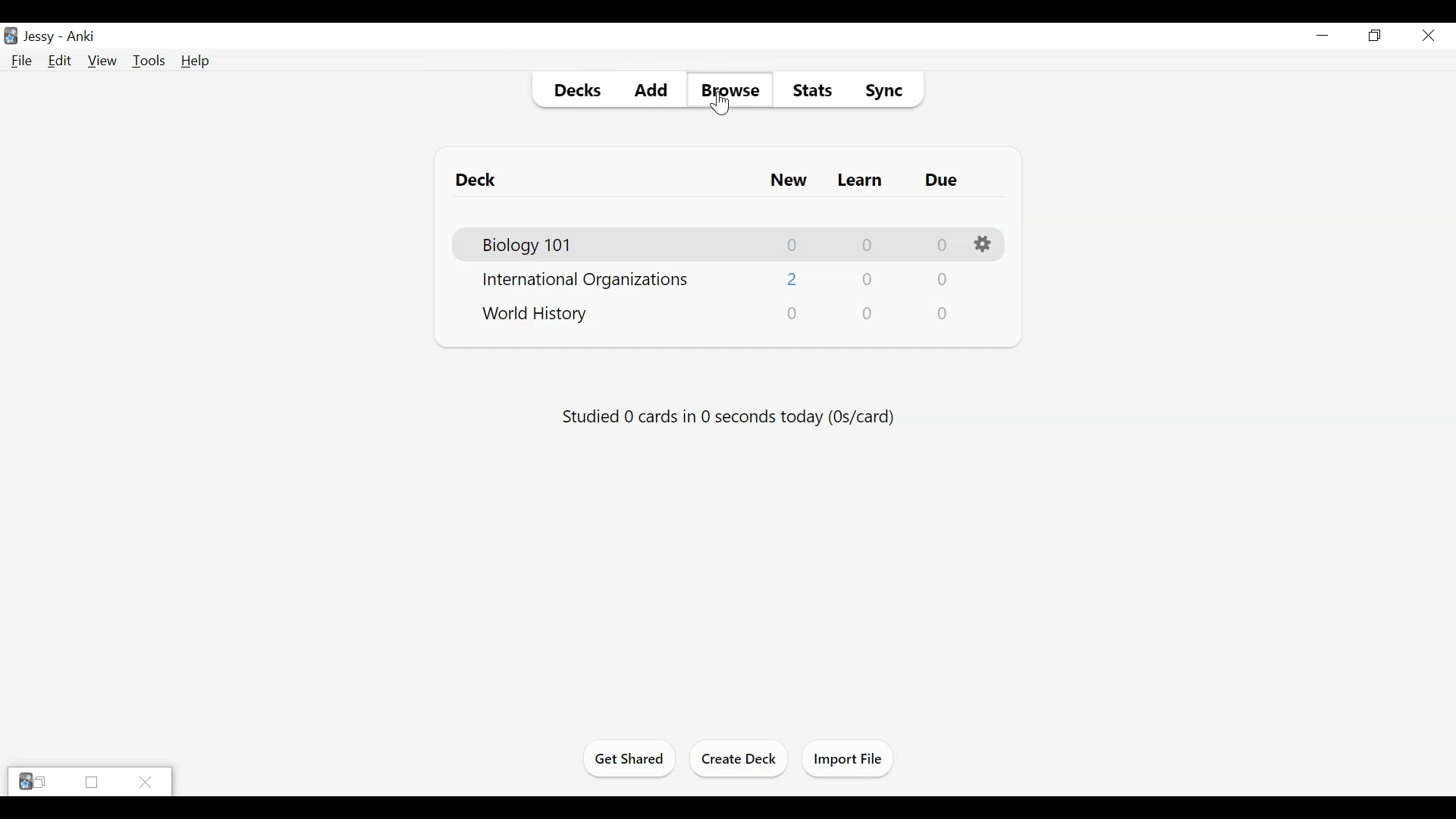  What do you see at coordinates (943, 313) in the screenshot?
I see `Due Card Count` at bounding box center [943, 313].